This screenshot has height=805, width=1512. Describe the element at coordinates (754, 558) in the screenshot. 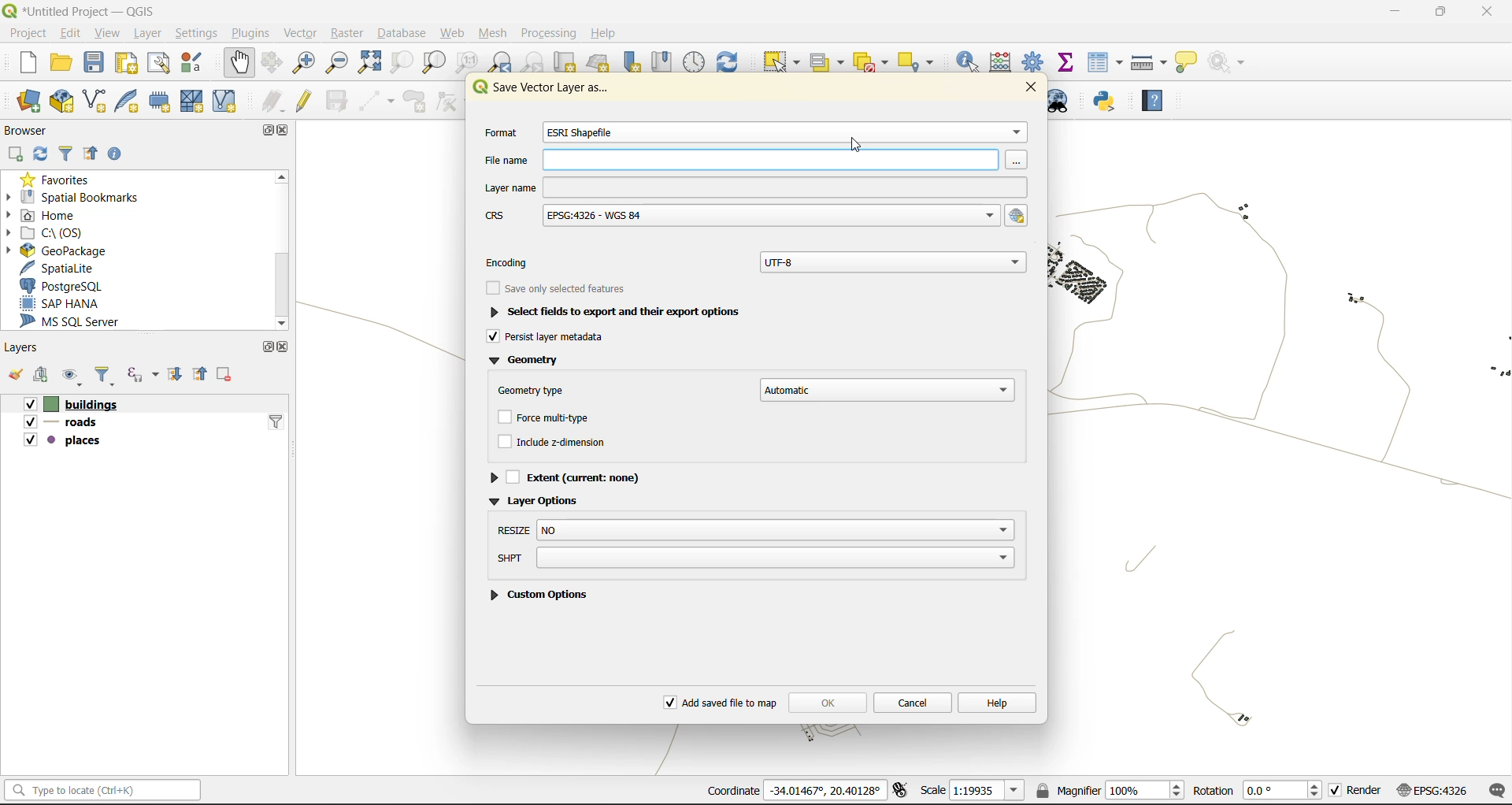

I see `shpt` at that location.